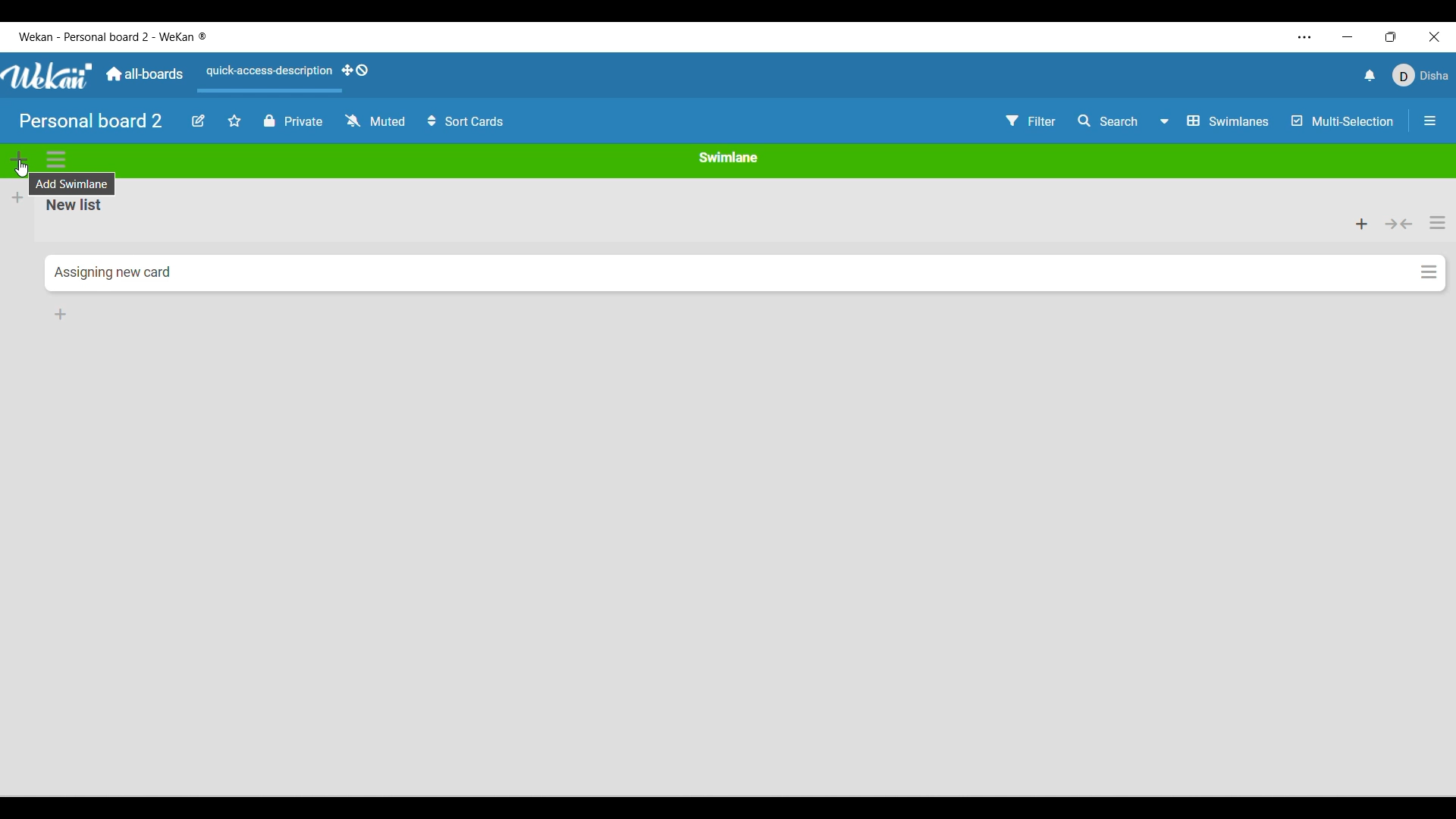  Describe the element at coordinates (145, 74) in the screenshot. I see `Go to main dashboard` at that location.